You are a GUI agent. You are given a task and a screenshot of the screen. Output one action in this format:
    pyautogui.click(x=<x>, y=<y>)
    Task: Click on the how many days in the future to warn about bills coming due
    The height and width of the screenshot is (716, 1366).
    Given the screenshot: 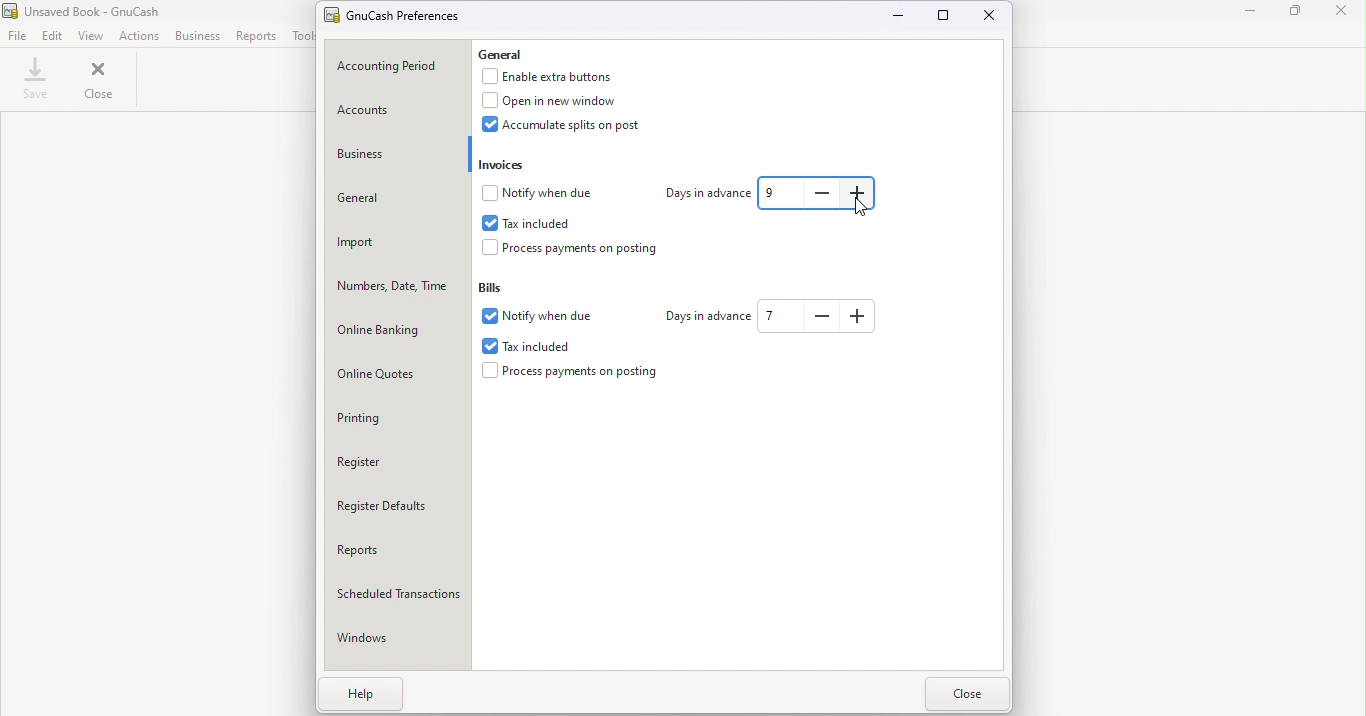 What is the action you would take?
    pyautogui.click(x=782, y=317)
    